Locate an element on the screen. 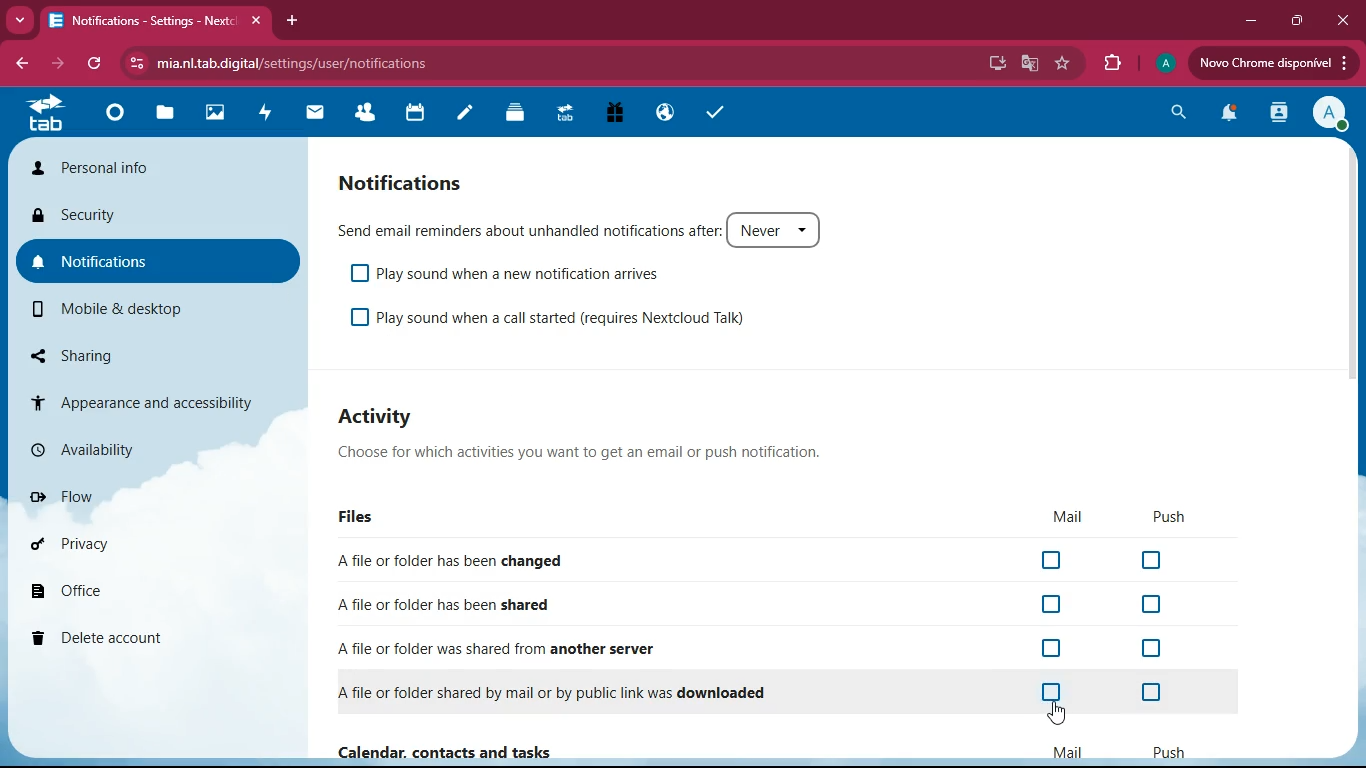  back is located at coordinates (23, 66).